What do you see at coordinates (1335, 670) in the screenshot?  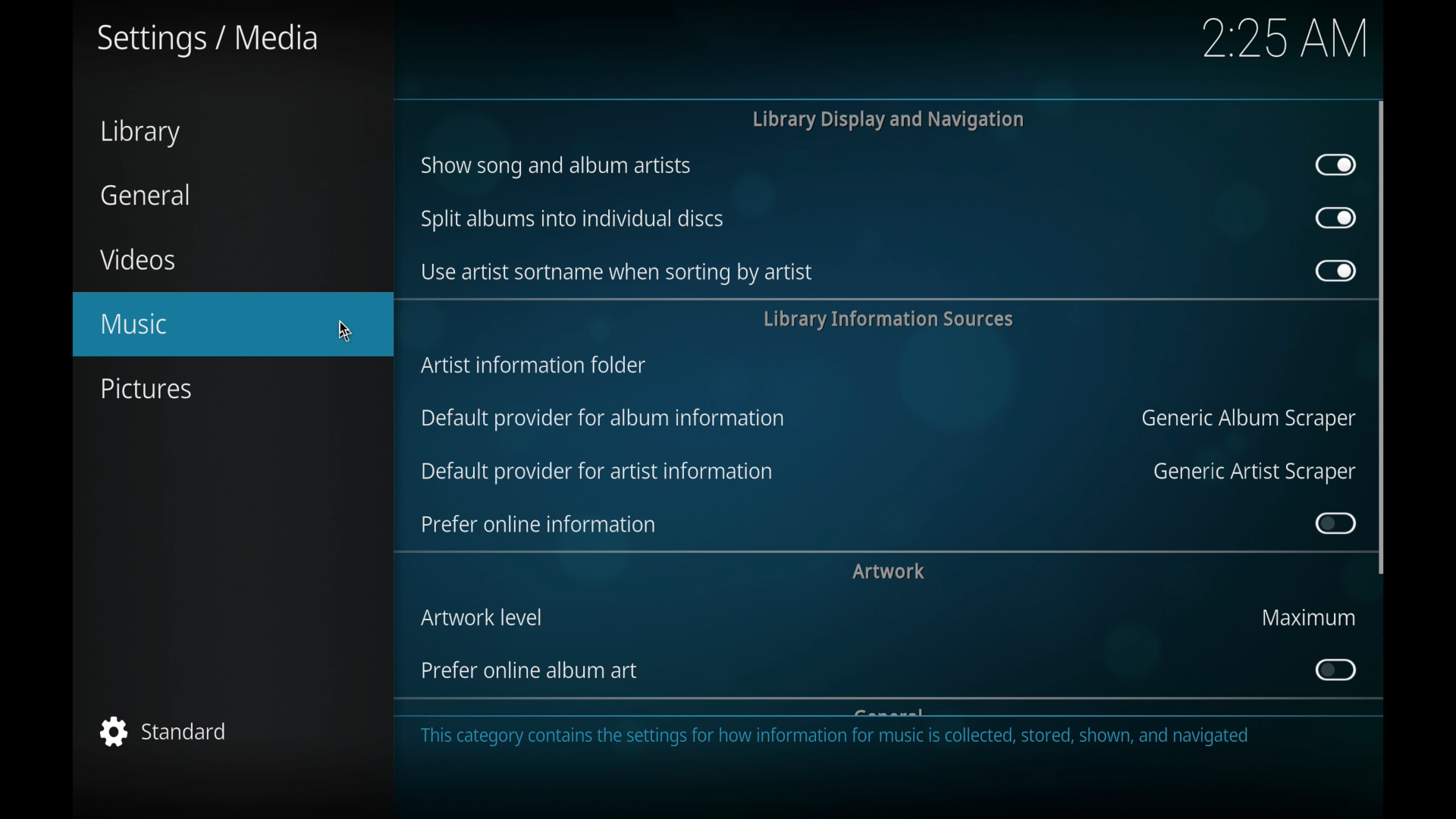 I see `toggle button` at bounding box center [1335, 670].